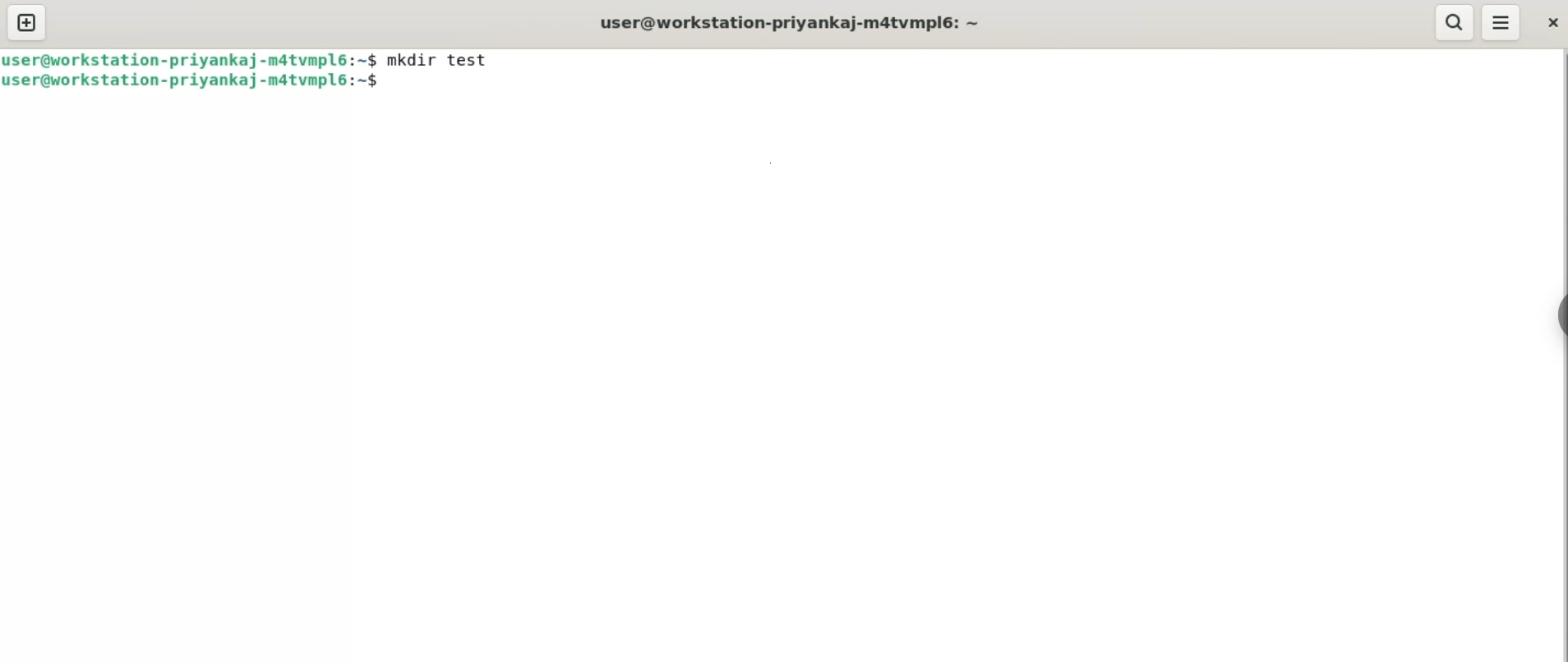 This screenshot has width=1568, height=662. What do you see at coordinates (196, 81) in the screenshot?
I see `shell promptuser@workstation-priyankaj-m4tvmpl6: ~$` at bounding box center [196, 81].